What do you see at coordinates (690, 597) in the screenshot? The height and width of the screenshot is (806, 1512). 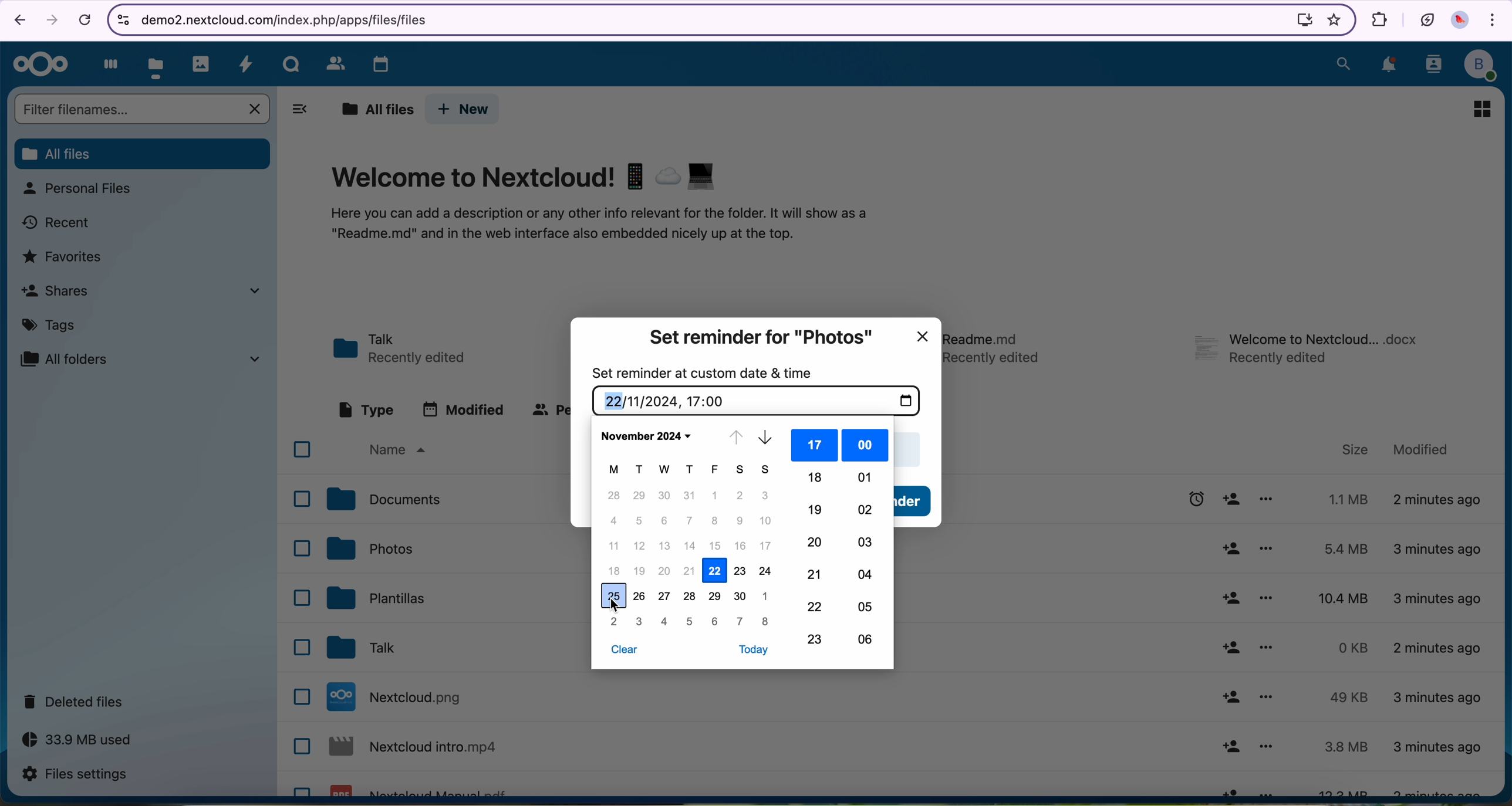 I see `28` at bounding box center [690, 597].